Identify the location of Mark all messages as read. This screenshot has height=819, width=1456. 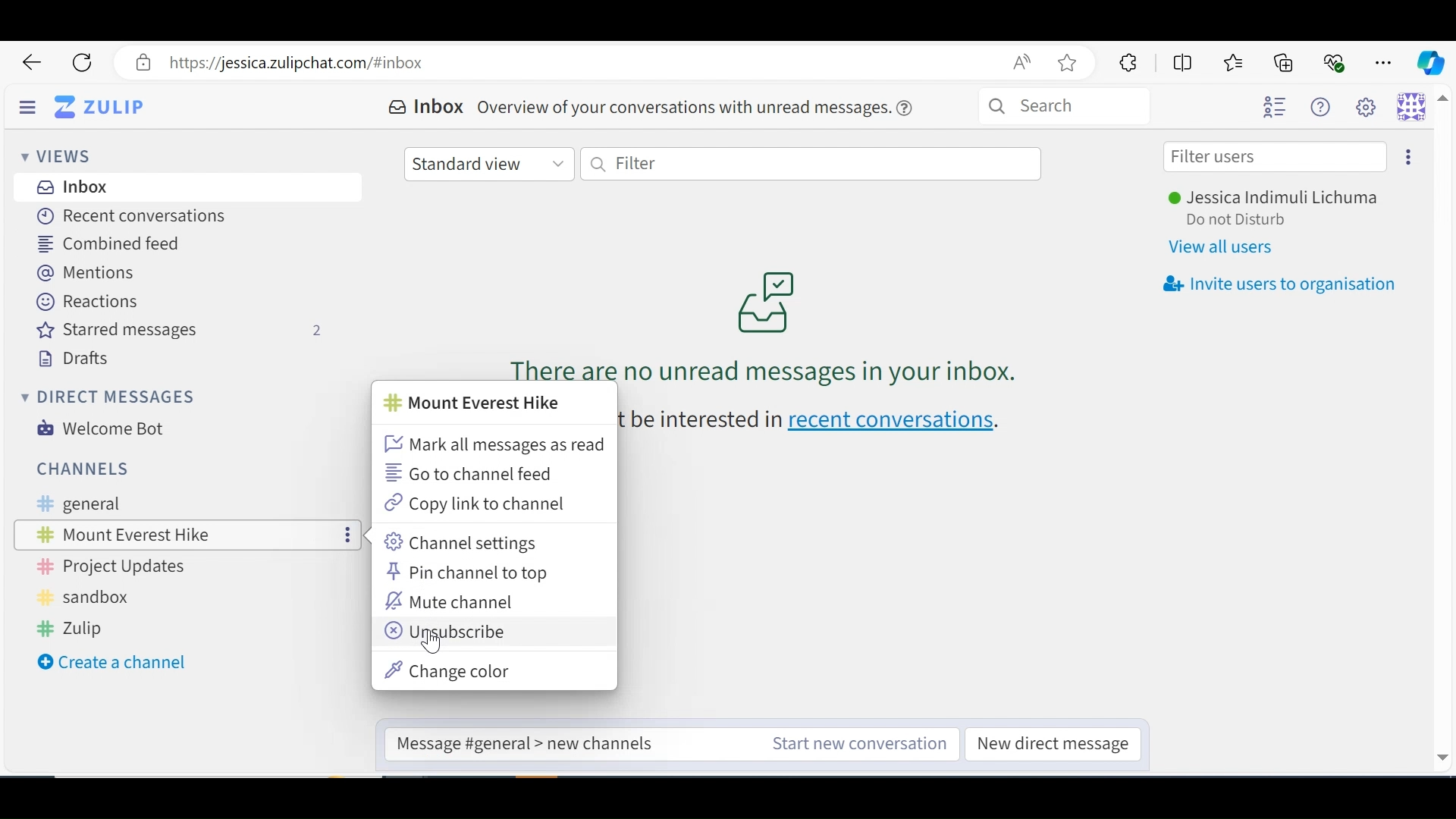
(494, 445).